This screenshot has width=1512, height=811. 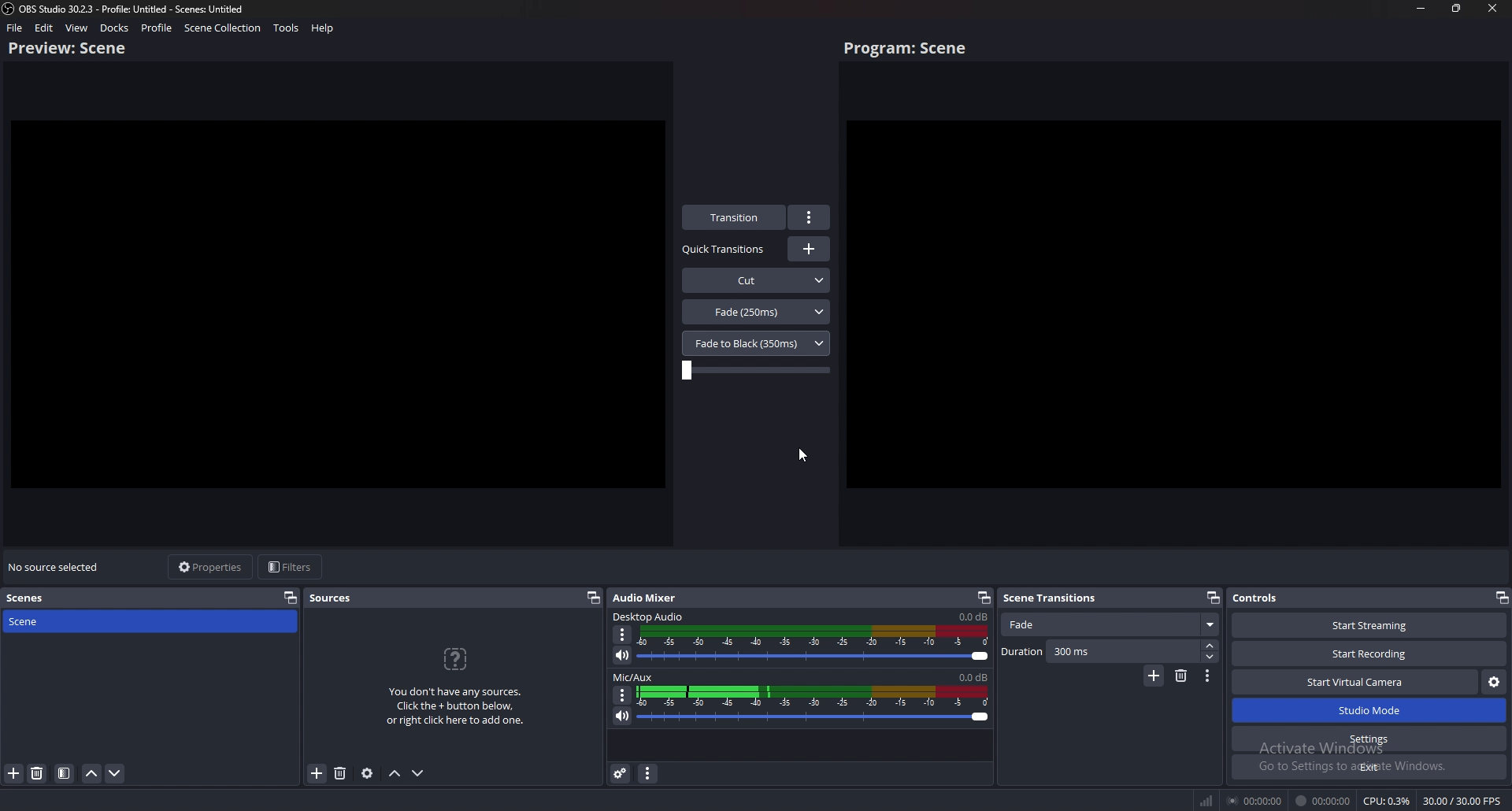 I want to click on docks, so click(x=114, y=28).